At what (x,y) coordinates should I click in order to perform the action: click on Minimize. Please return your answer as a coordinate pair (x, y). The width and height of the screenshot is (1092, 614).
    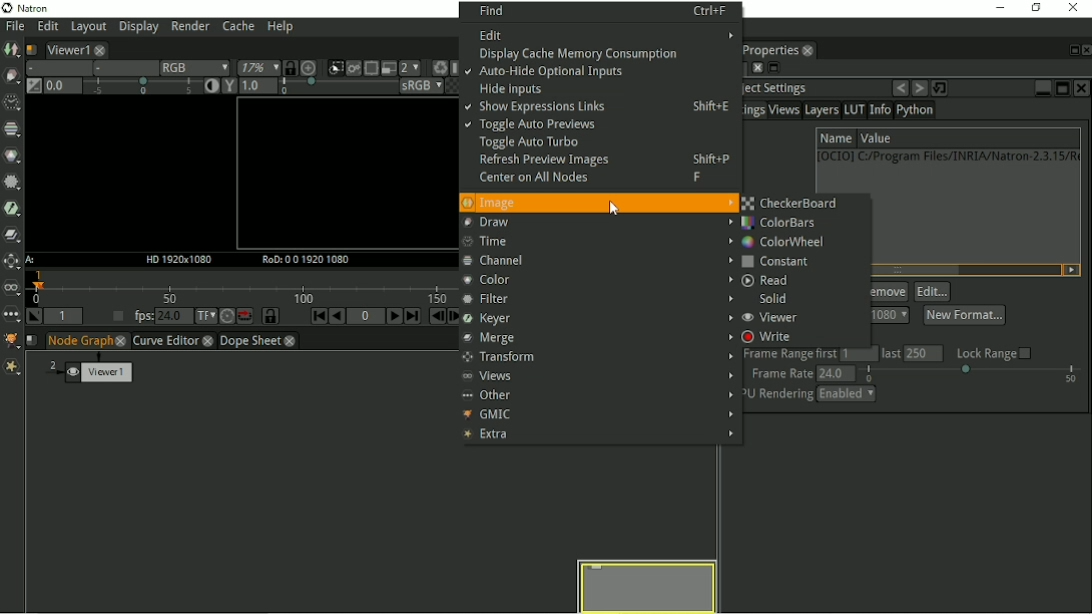
    Looking at the image, I should click on (997, 7).